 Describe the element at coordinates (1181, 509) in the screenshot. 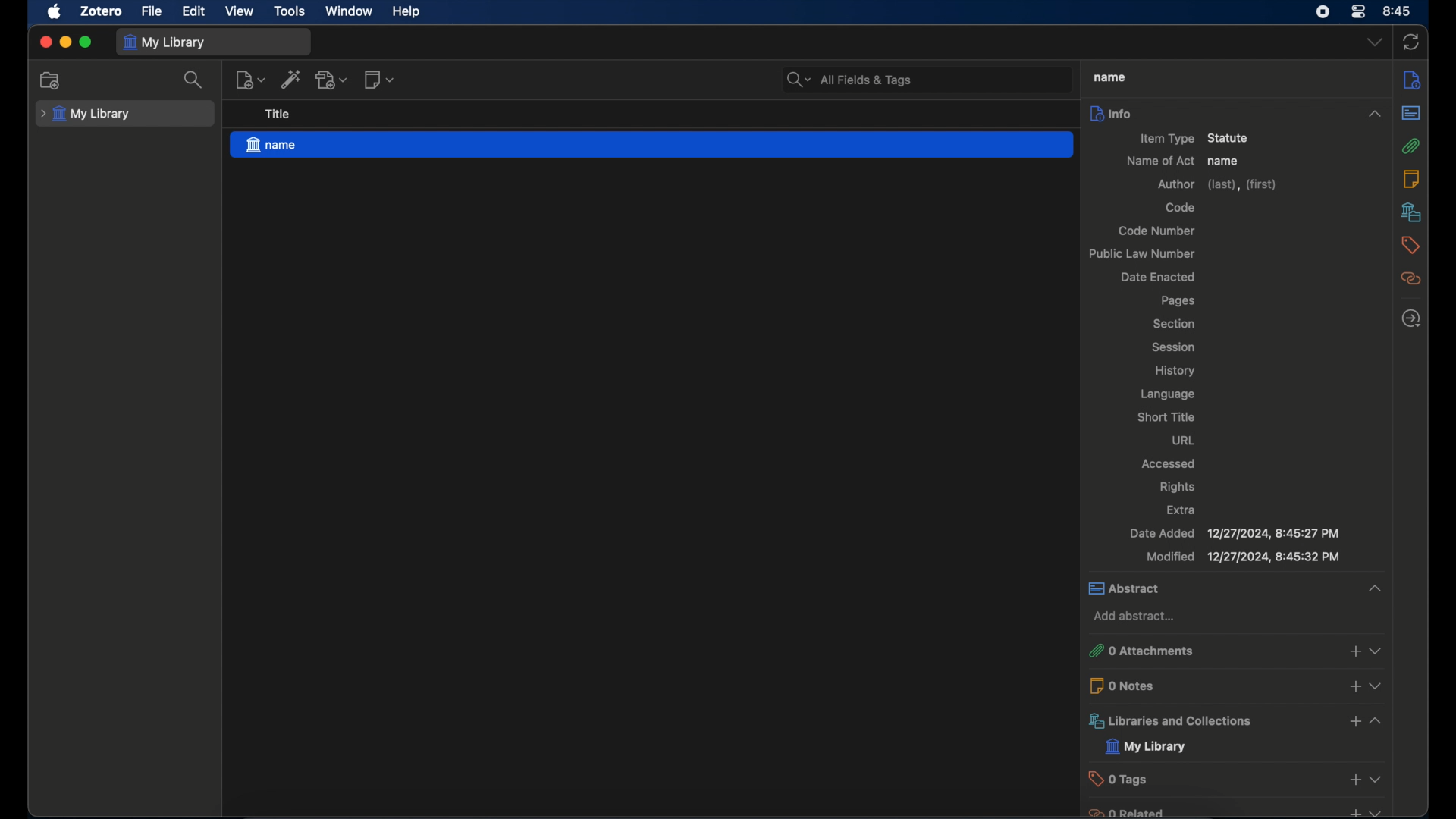

I see `extra` at that location.